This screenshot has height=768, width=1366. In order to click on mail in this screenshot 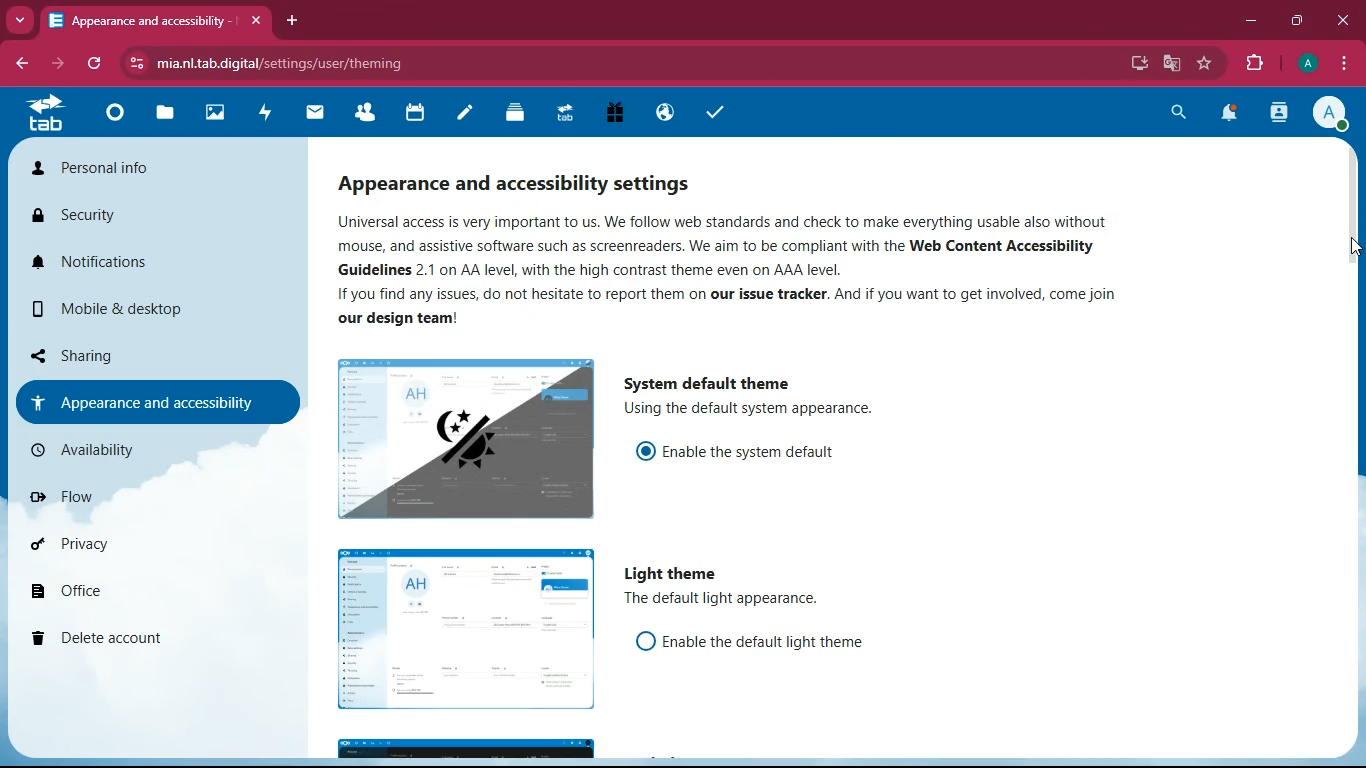, I will do `click(316, 112)`.